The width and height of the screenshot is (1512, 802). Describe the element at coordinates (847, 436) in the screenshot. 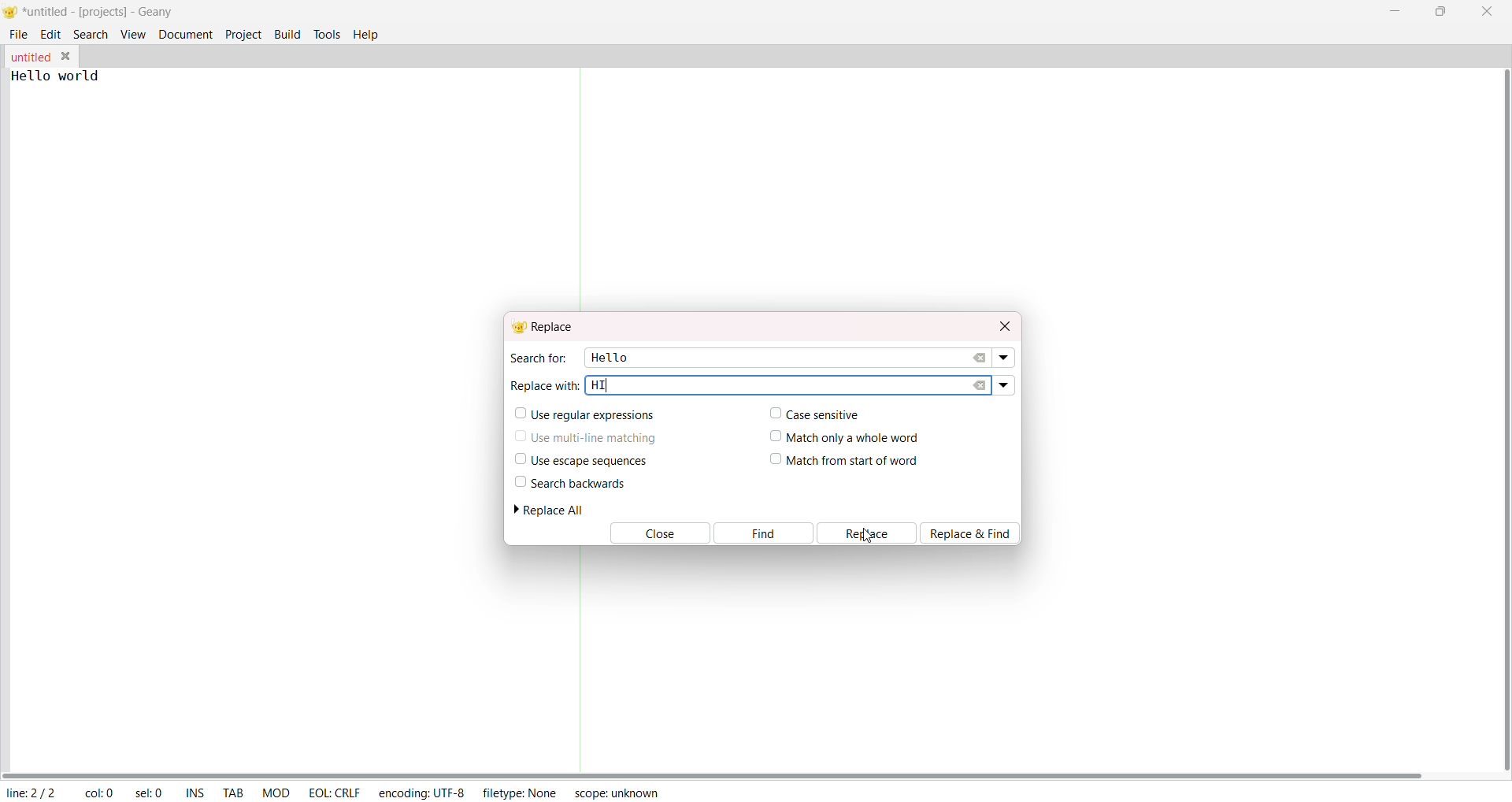

I see `match only a whole word` at that location.